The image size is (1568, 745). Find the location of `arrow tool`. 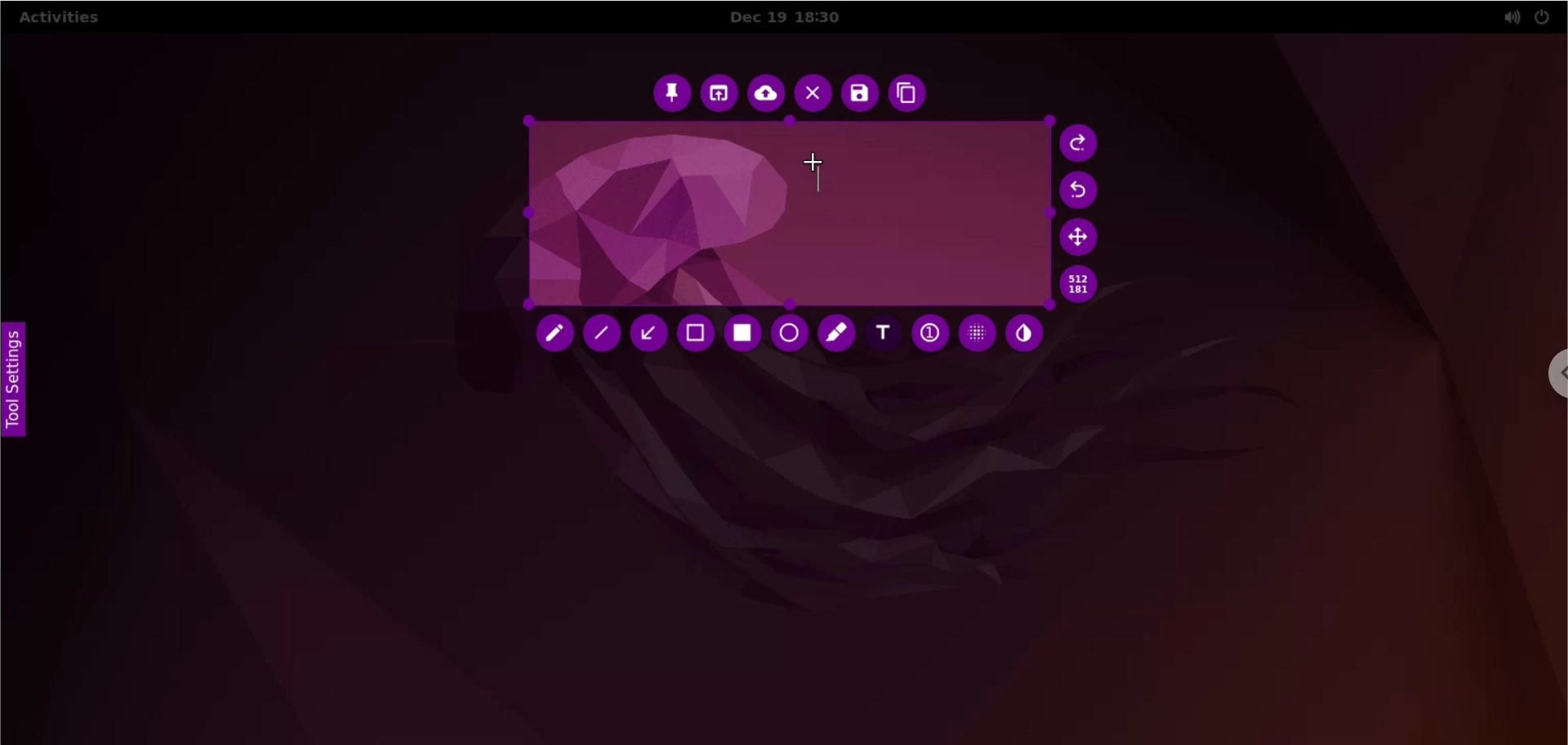

arrow tool is located at coordinates (653, 336).